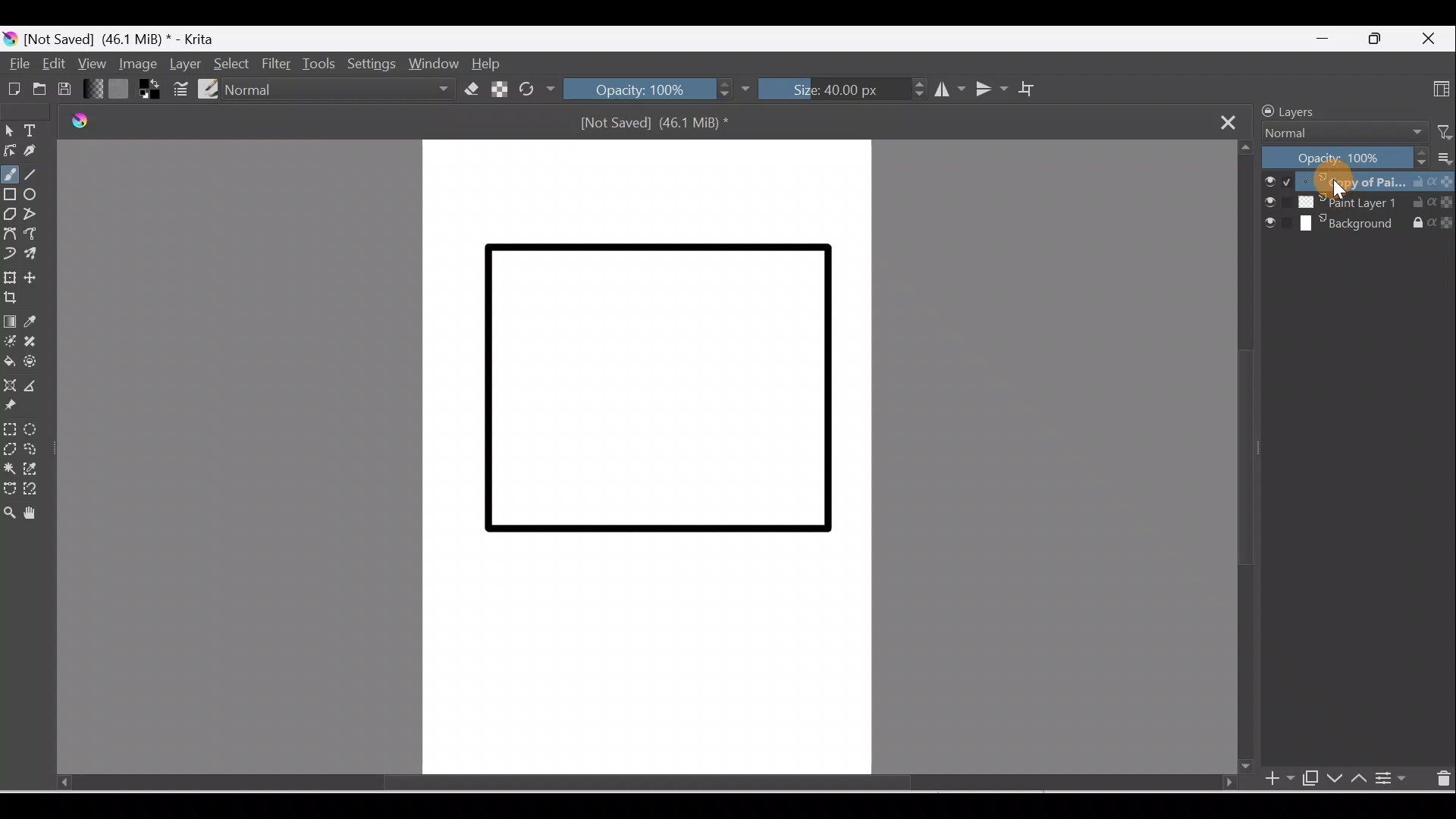  I want to click on Filter, so click(1439, 131).